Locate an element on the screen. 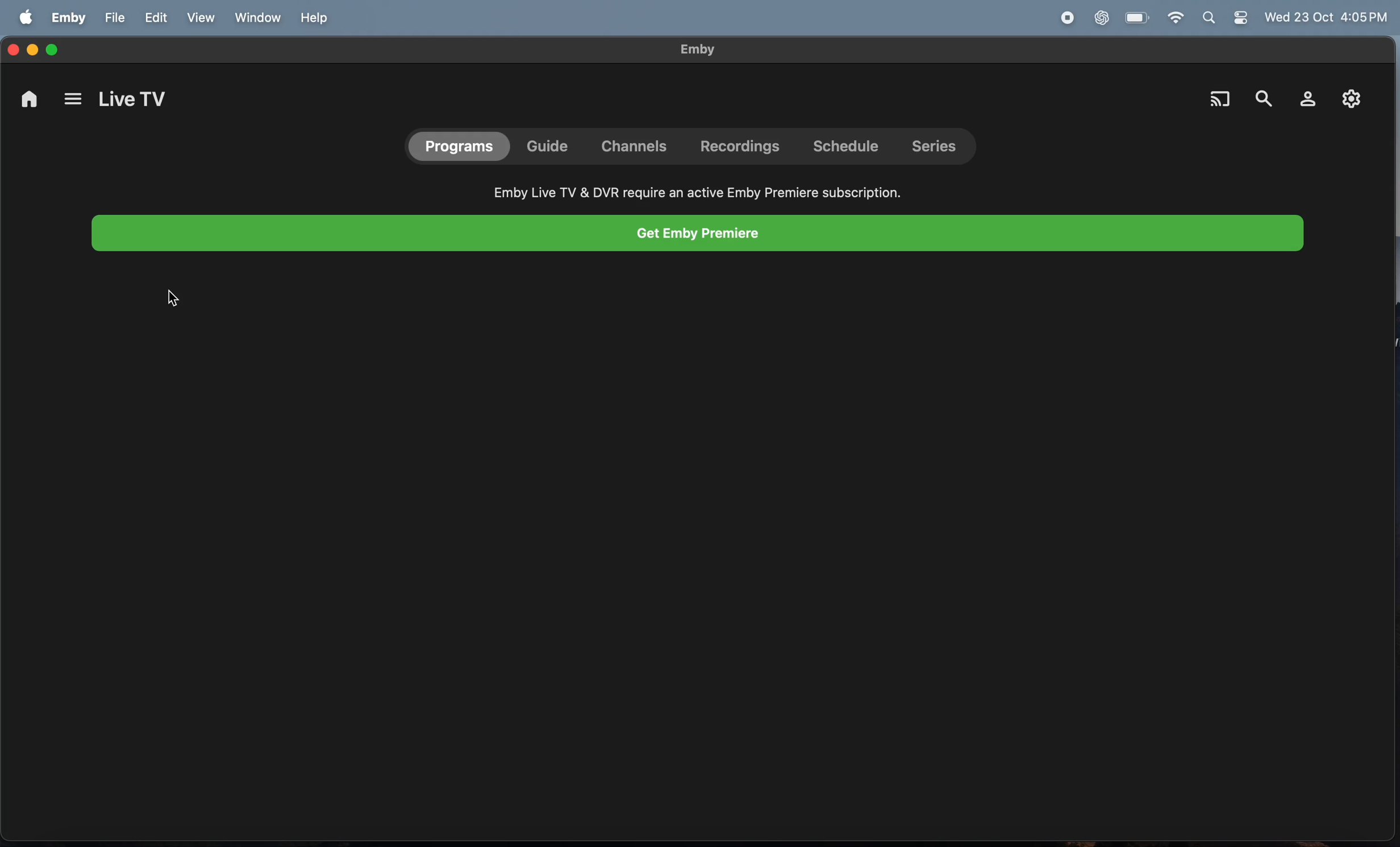 Image resolution: width=1400 pixels, height=847 pixels. emby is located at coordinates (69, 17).